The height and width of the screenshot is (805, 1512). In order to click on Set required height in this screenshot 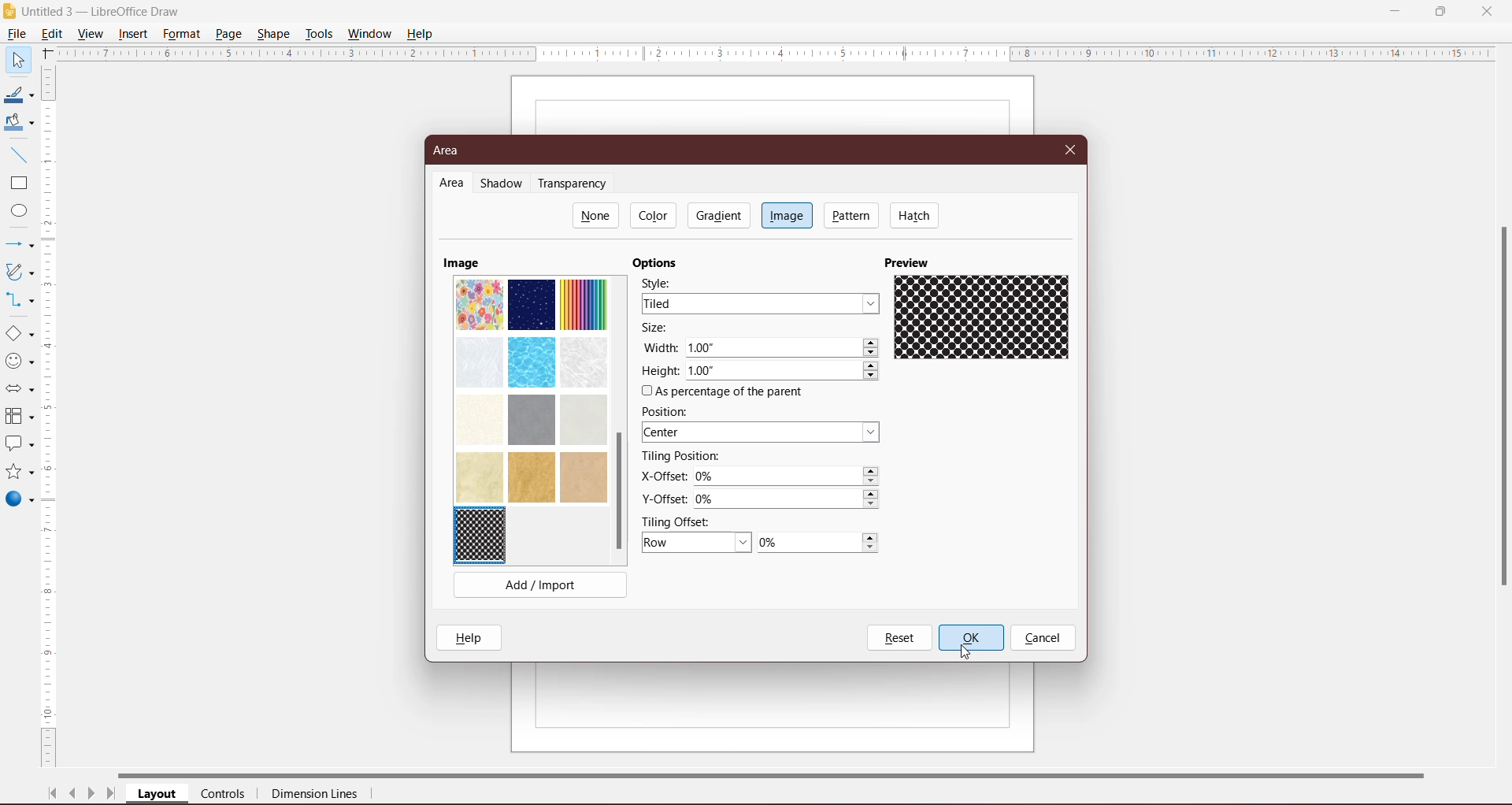, I will do `click(784, 372)`.